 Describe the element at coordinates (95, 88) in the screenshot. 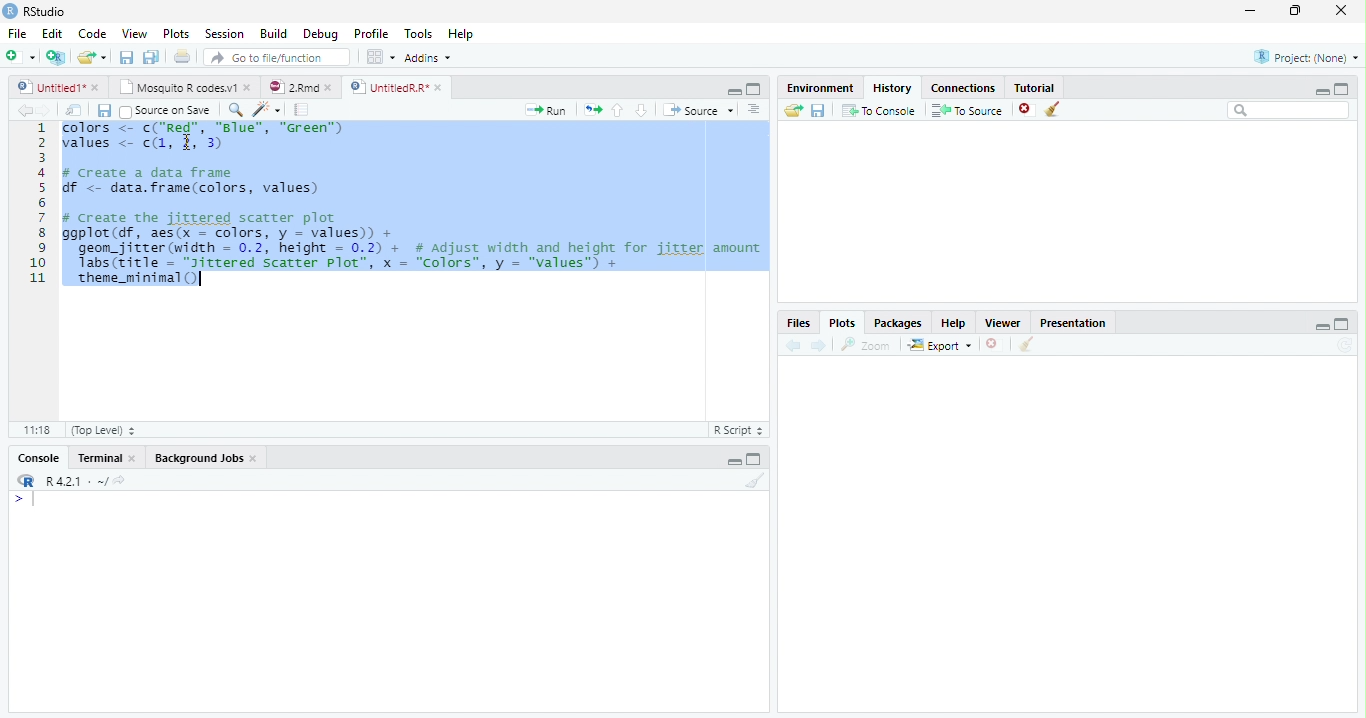

I see `close` at that location.